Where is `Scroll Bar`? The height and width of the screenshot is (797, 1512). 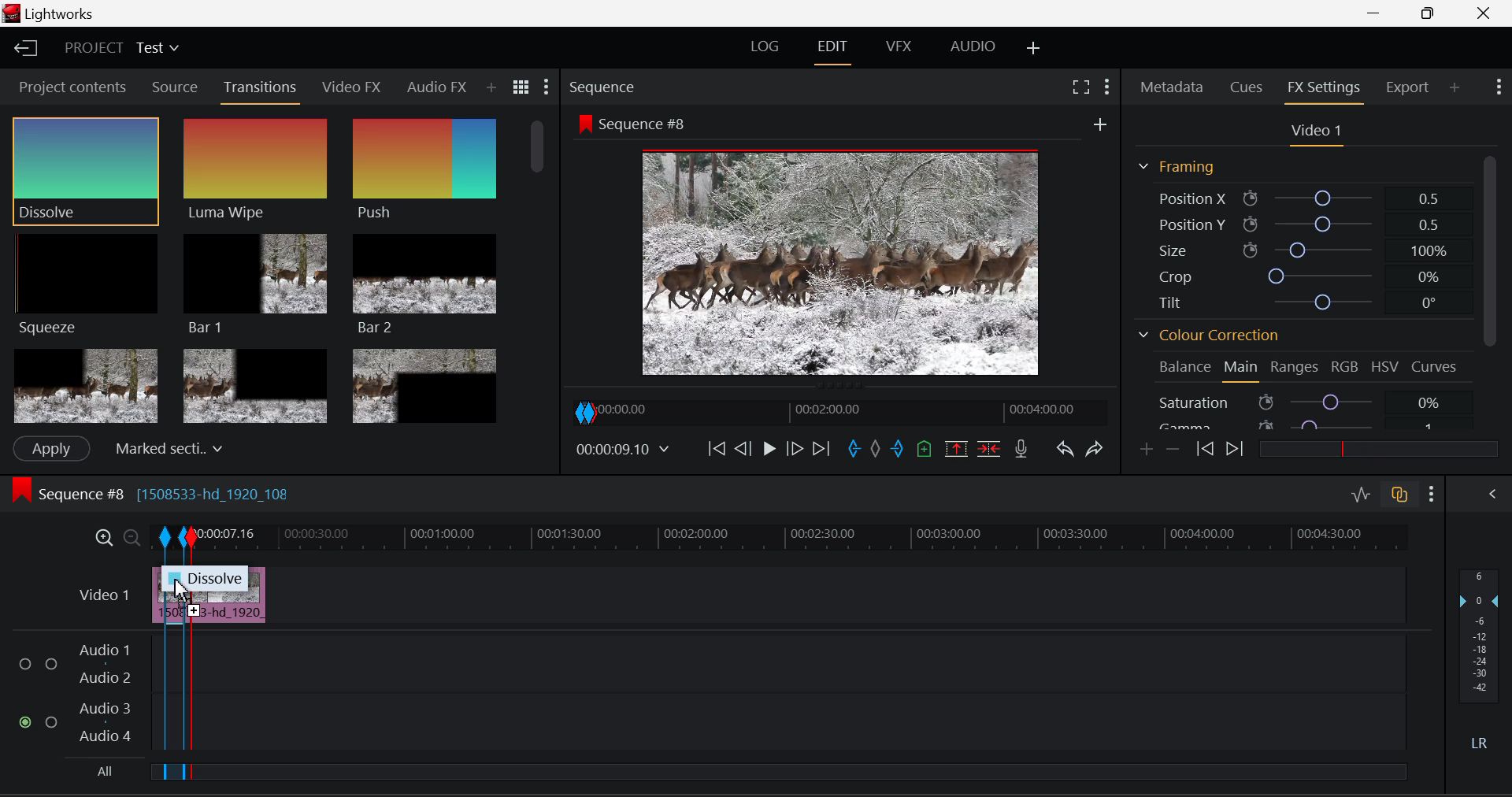 Scroll Bar is located at coordinates (1489, 293).